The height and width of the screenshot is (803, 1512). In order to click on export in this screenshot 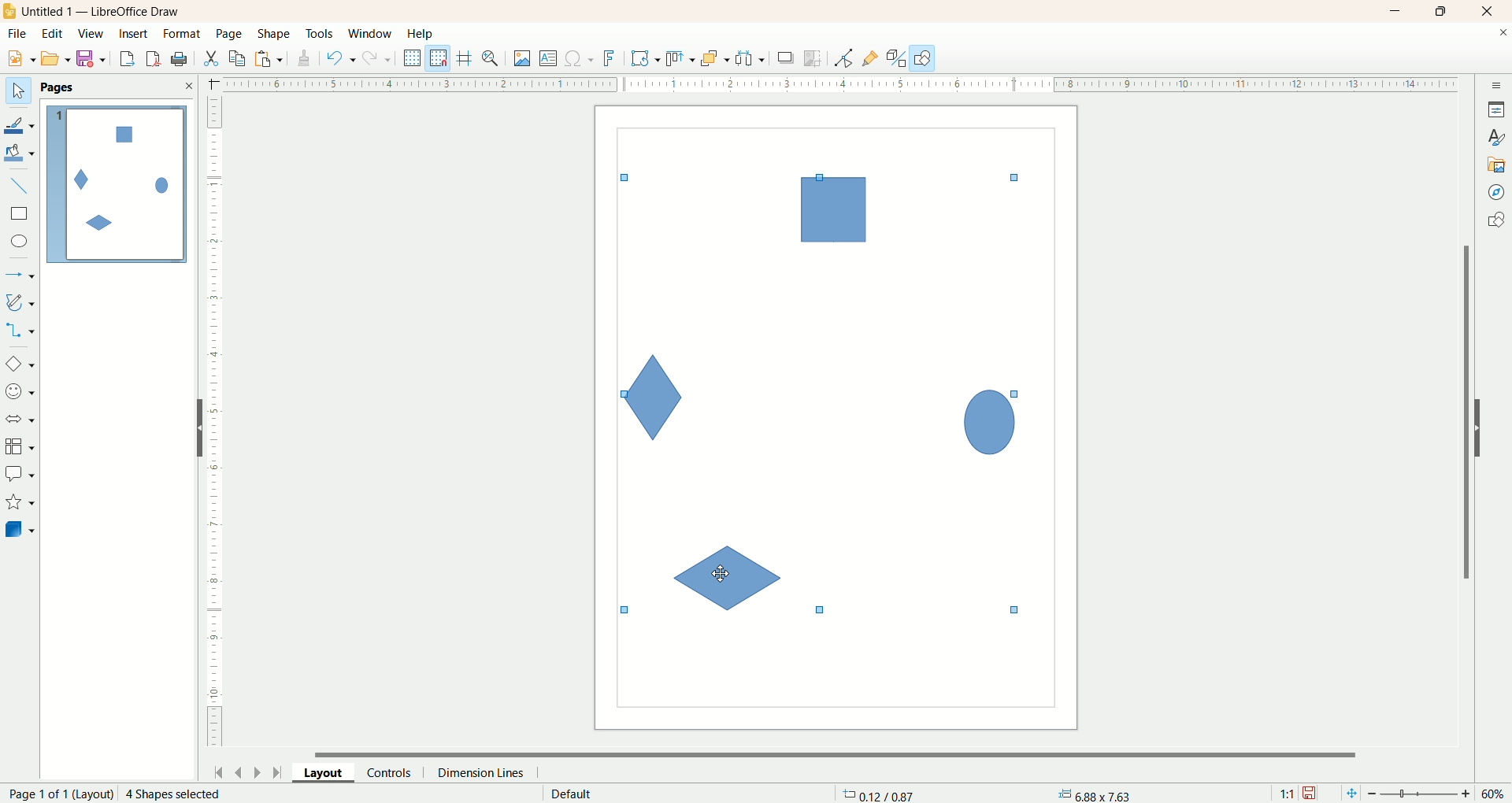, I will do `click(126, 56)`.